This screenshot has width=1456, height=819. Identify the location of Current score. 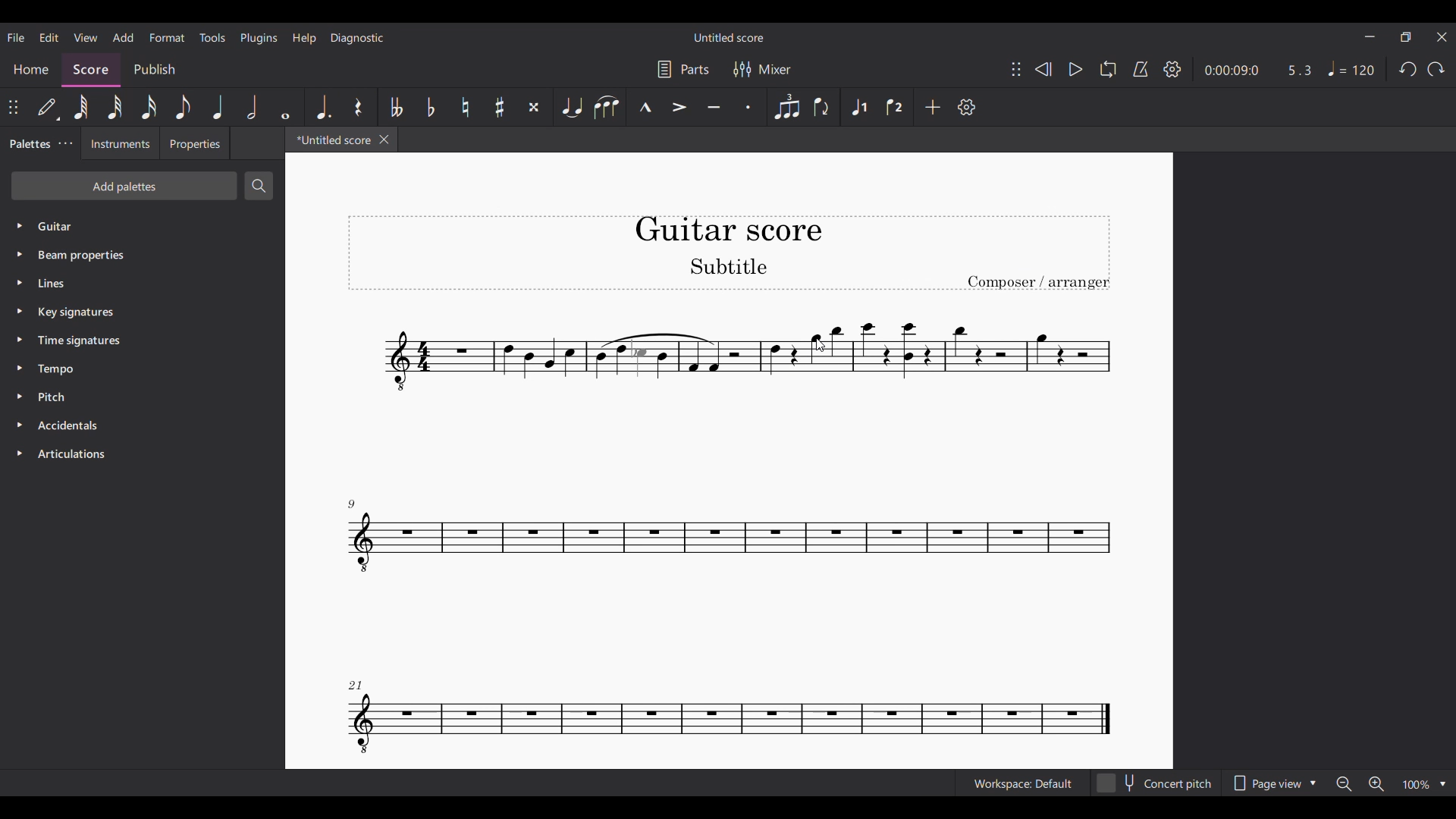
(729, 460).